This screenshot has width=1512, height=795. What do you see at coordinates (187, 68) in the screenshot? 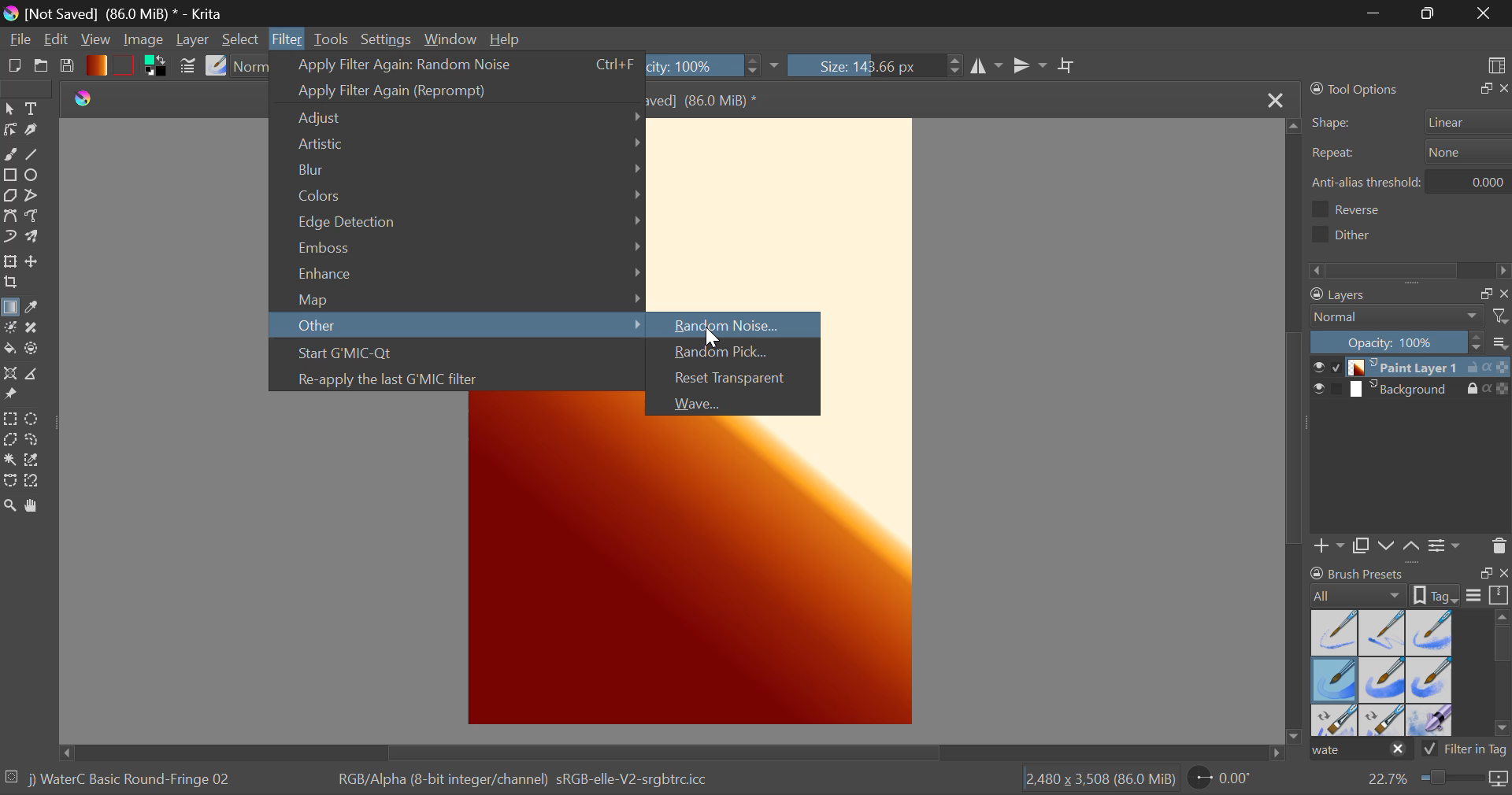
I see `Brusht Settings` at bounding box center [187, 68].